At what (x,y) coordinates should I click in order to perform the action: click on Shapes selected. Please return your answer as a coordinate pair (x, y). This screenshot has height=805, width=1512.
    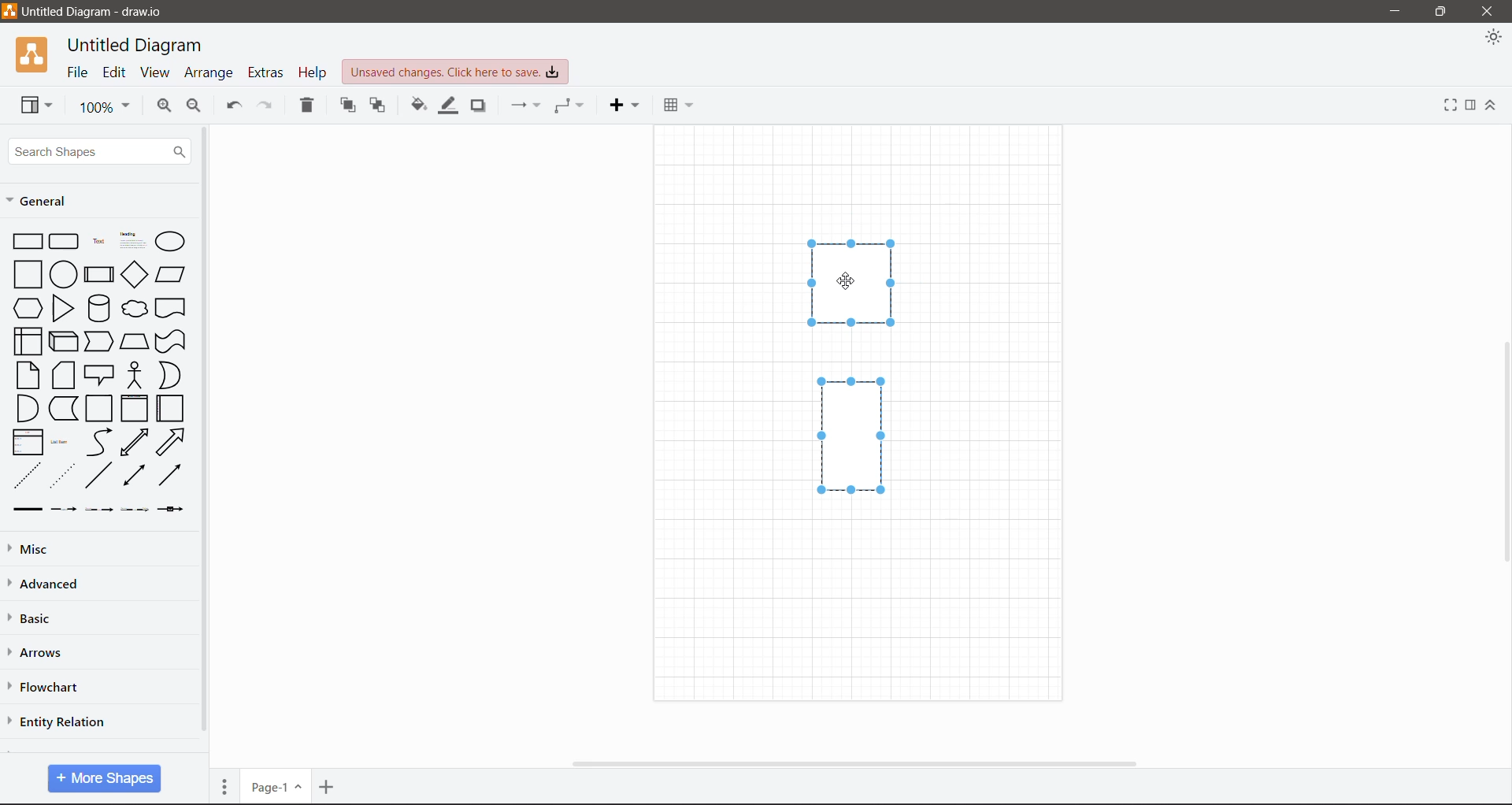
    Looking at the image, I should click on (853, 377).